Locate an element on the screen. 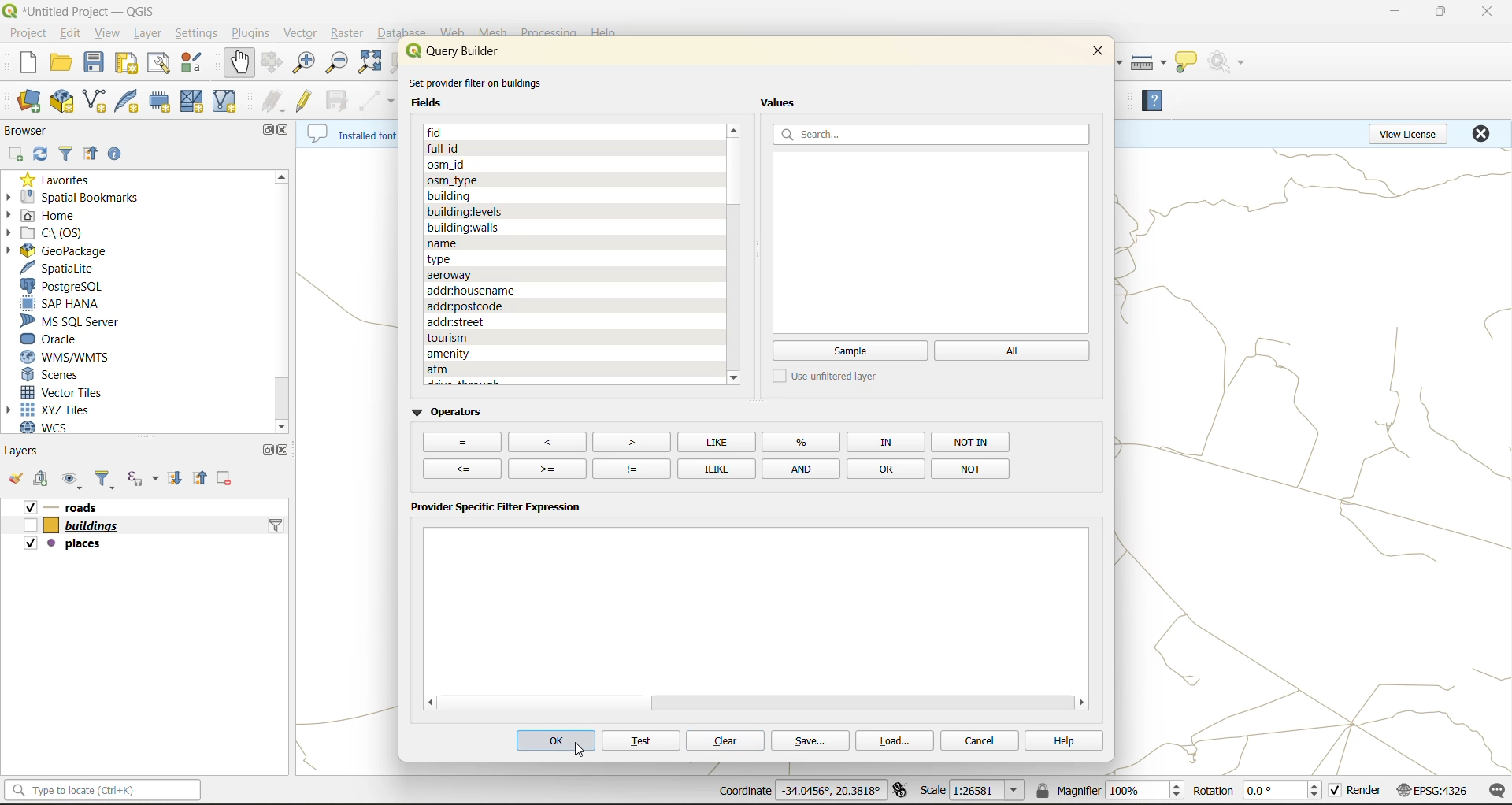 The height and width of the screenshot is (805, 1512). new is located at coordinates (18, 65).